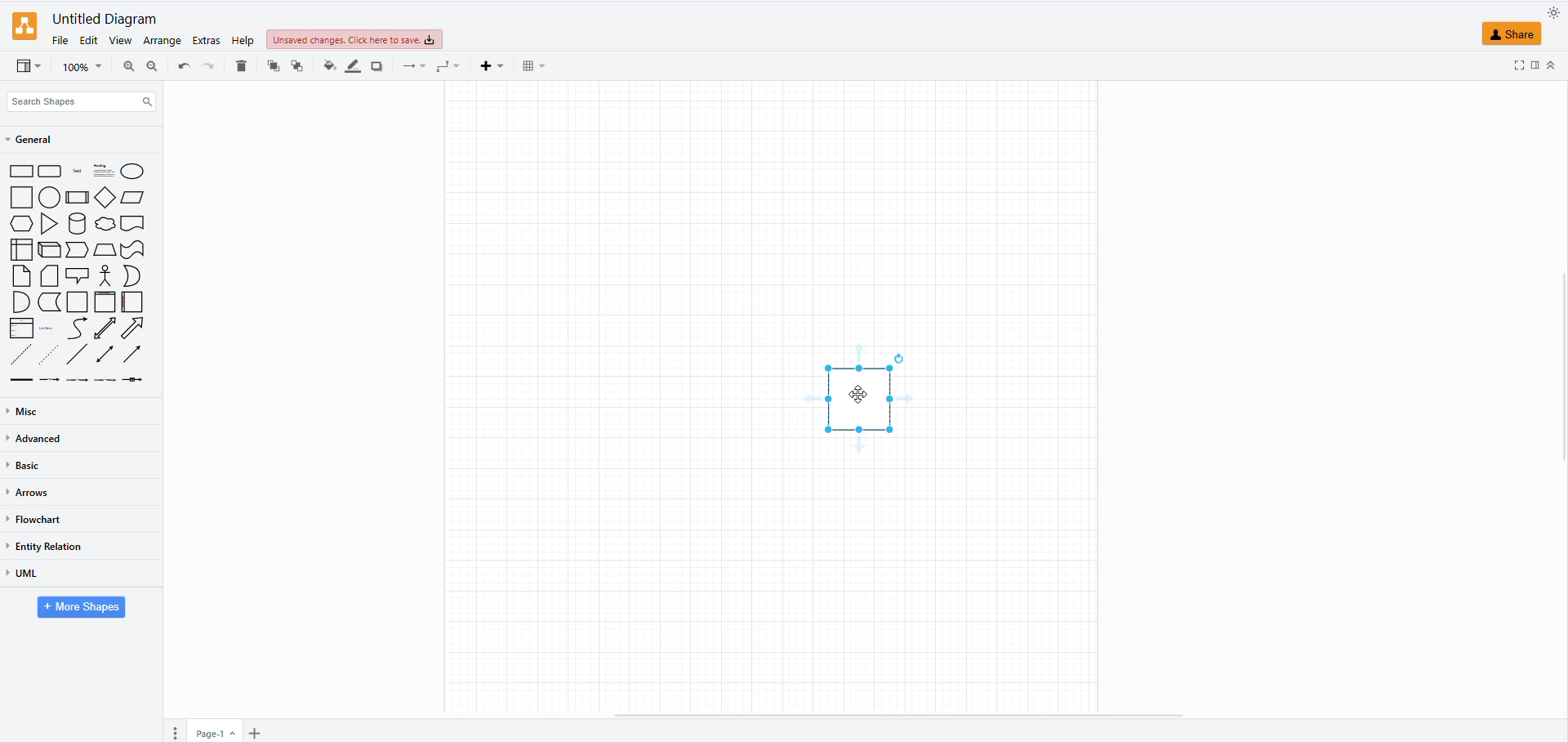 The height and width of the screenshot is (742, 1568). Describe the element at coordinates (1555, 63) in the screenshot. I see `collapse` at that location.